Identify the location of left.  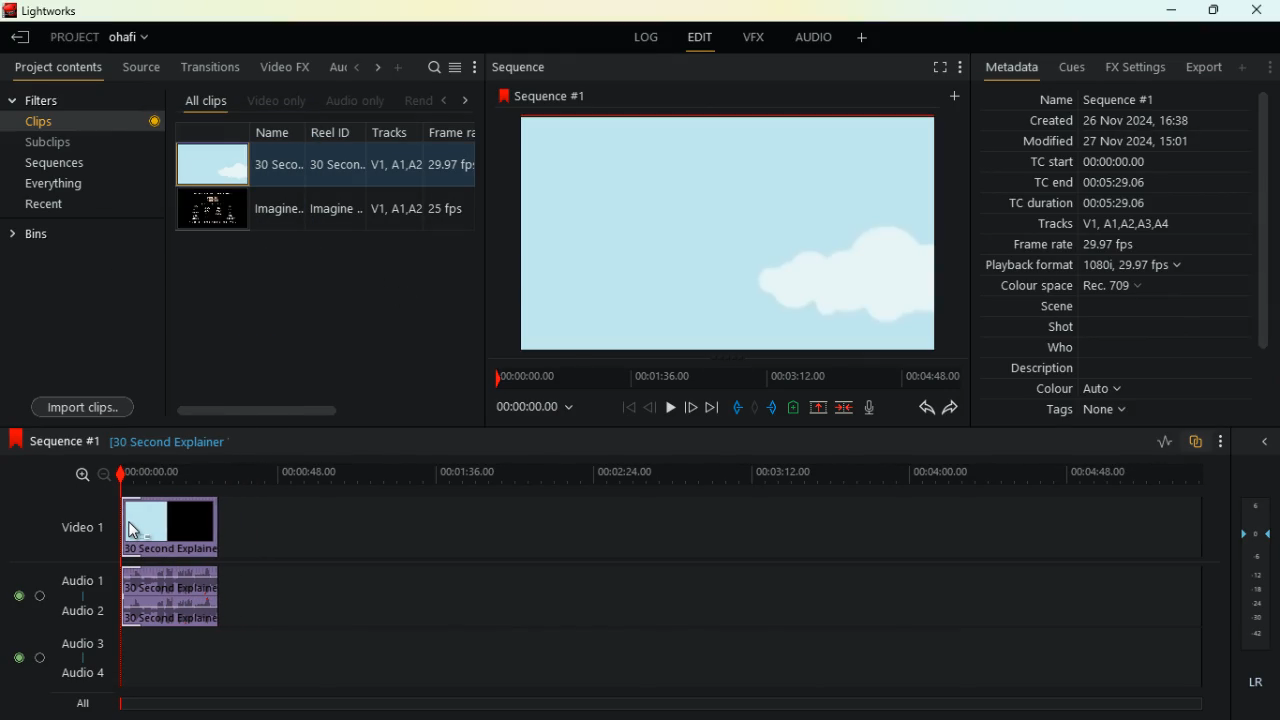
(447, 100).